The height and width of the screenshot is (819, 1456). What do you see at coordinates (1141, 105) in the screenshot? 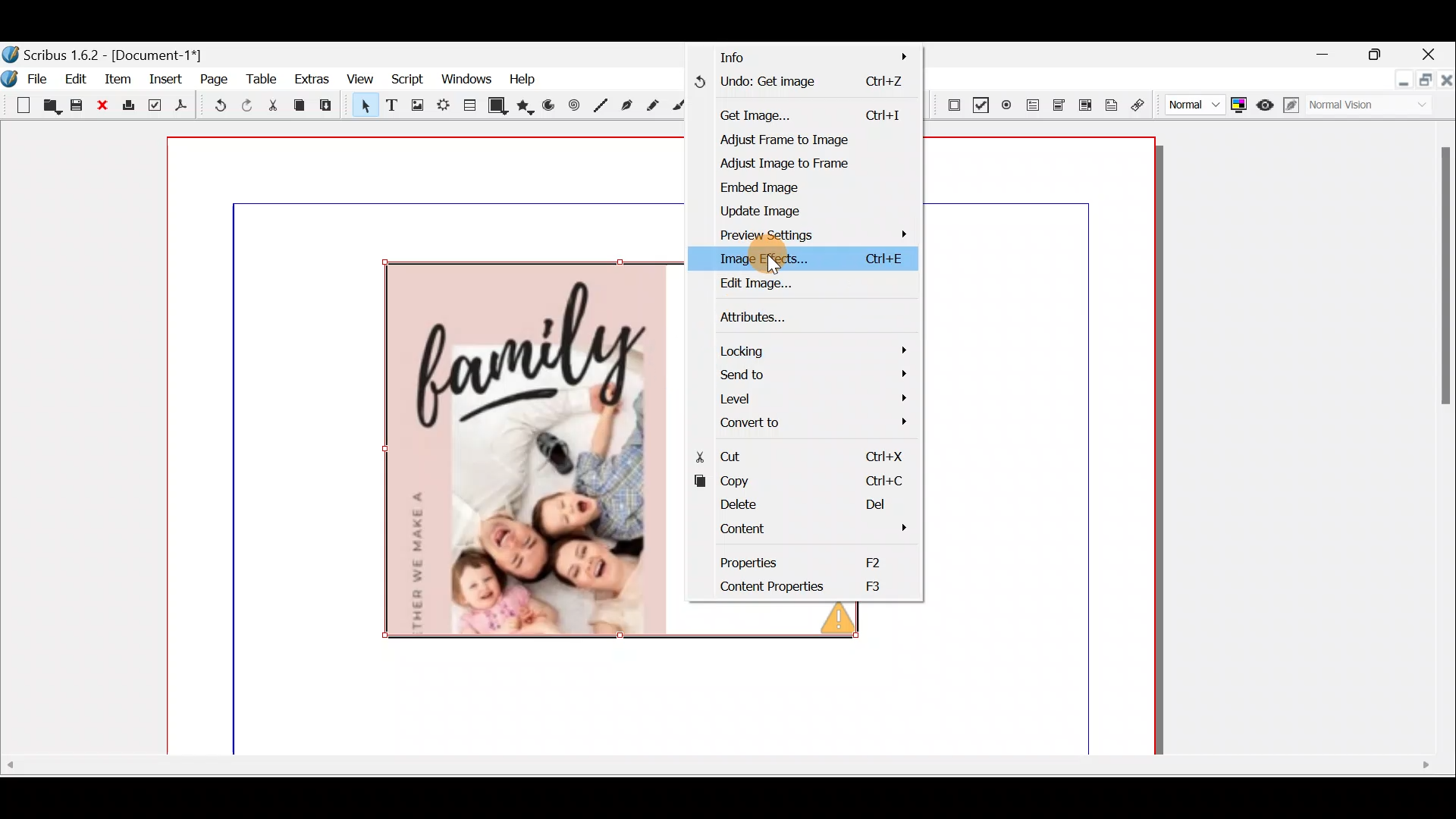
I see `Link annotation` at bounding box center [1141, 105].